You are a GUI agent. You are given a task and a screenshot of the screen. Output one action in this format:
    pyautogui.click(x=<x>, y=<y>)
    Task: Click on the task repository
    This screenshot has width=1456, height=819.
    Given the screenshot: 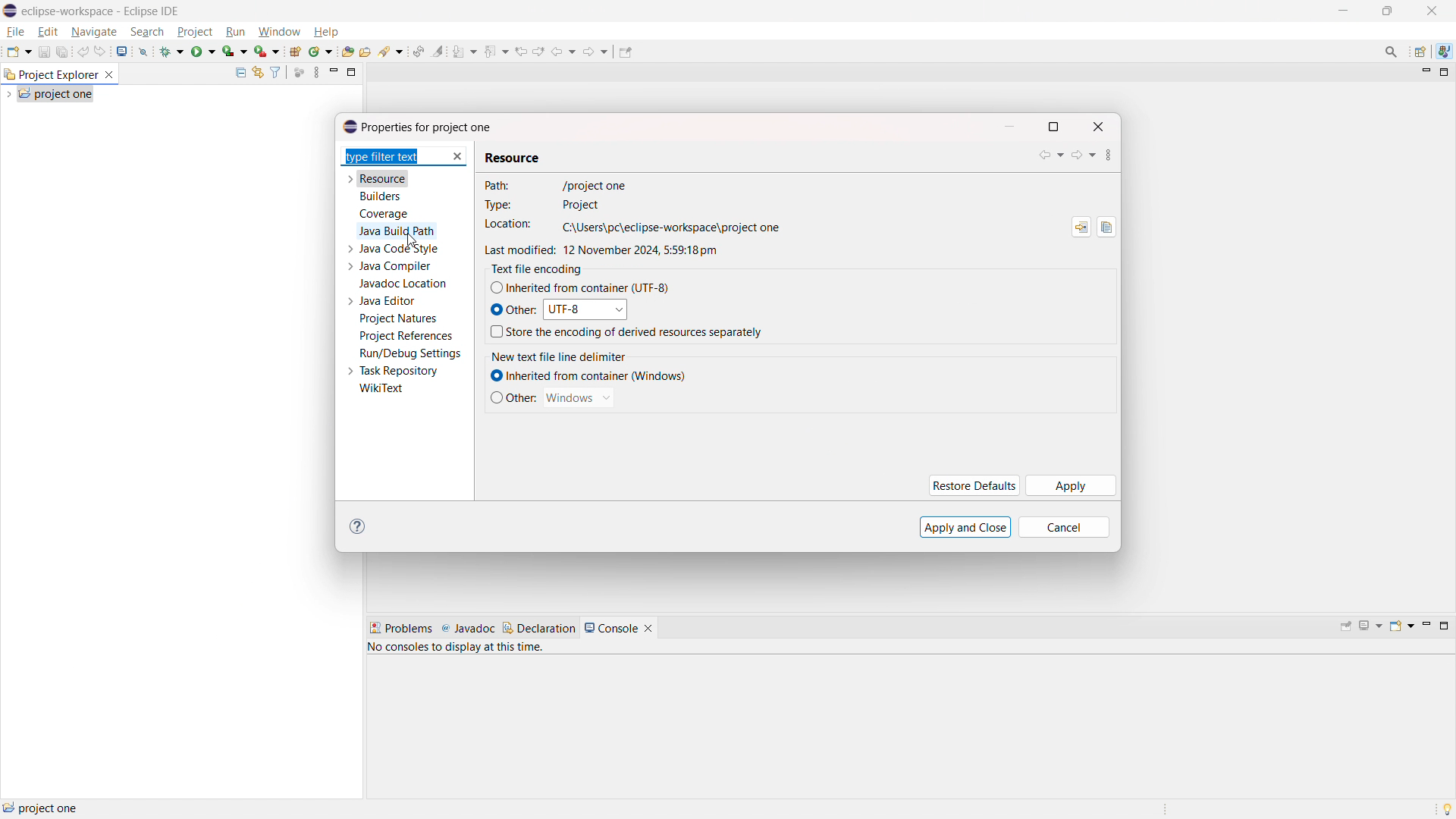 What is the action you would take?
    pyautogui.click(x=400, y=371)
    